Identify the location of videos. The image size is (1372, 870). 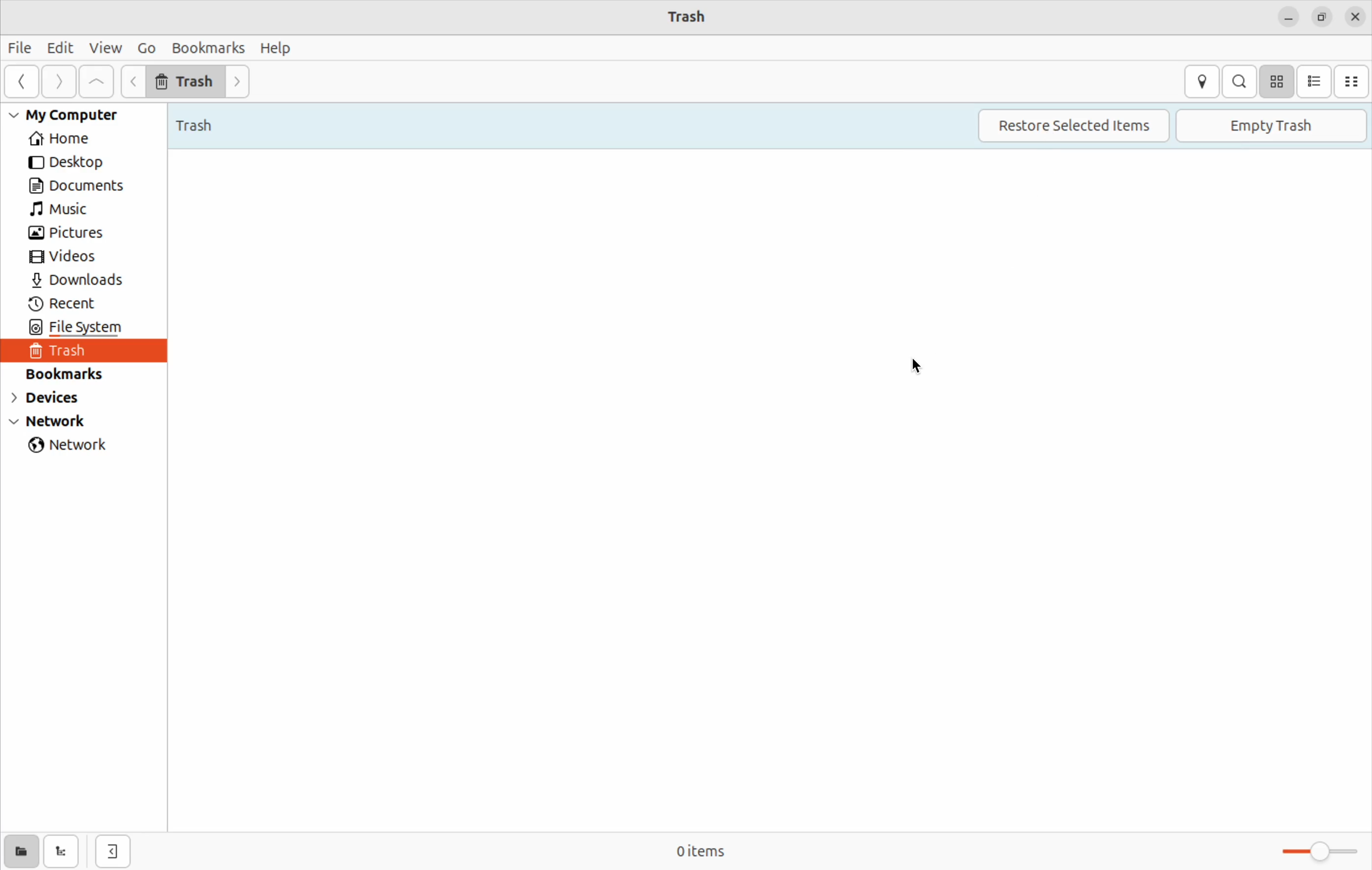
(72, 257).